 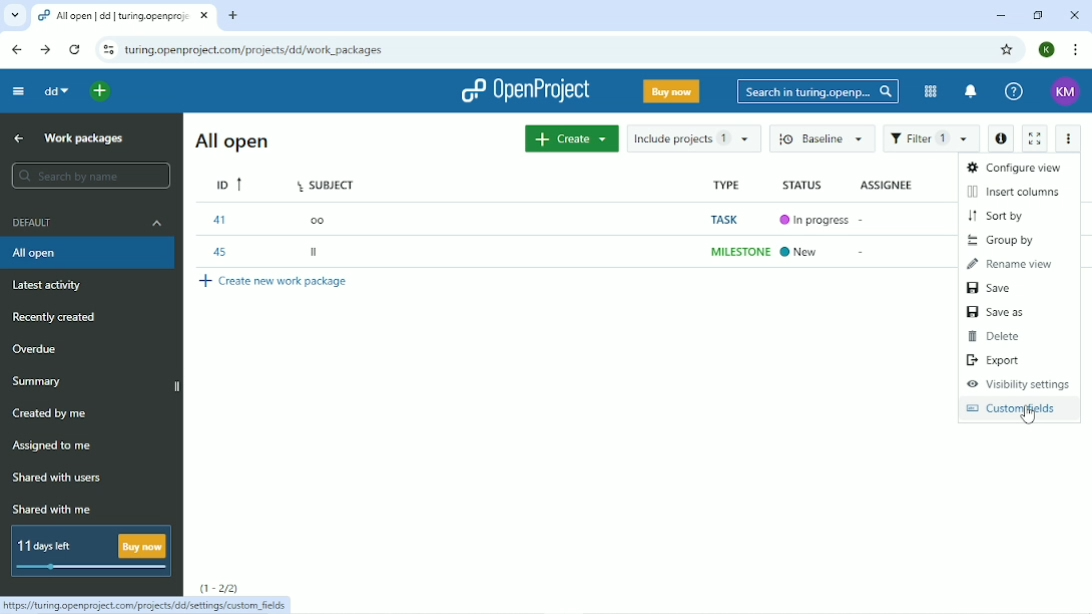 What do you see at coordinates (92, 551) in the screenshot?
I see `11 days left Buy now` at bounding box center [92, 551].